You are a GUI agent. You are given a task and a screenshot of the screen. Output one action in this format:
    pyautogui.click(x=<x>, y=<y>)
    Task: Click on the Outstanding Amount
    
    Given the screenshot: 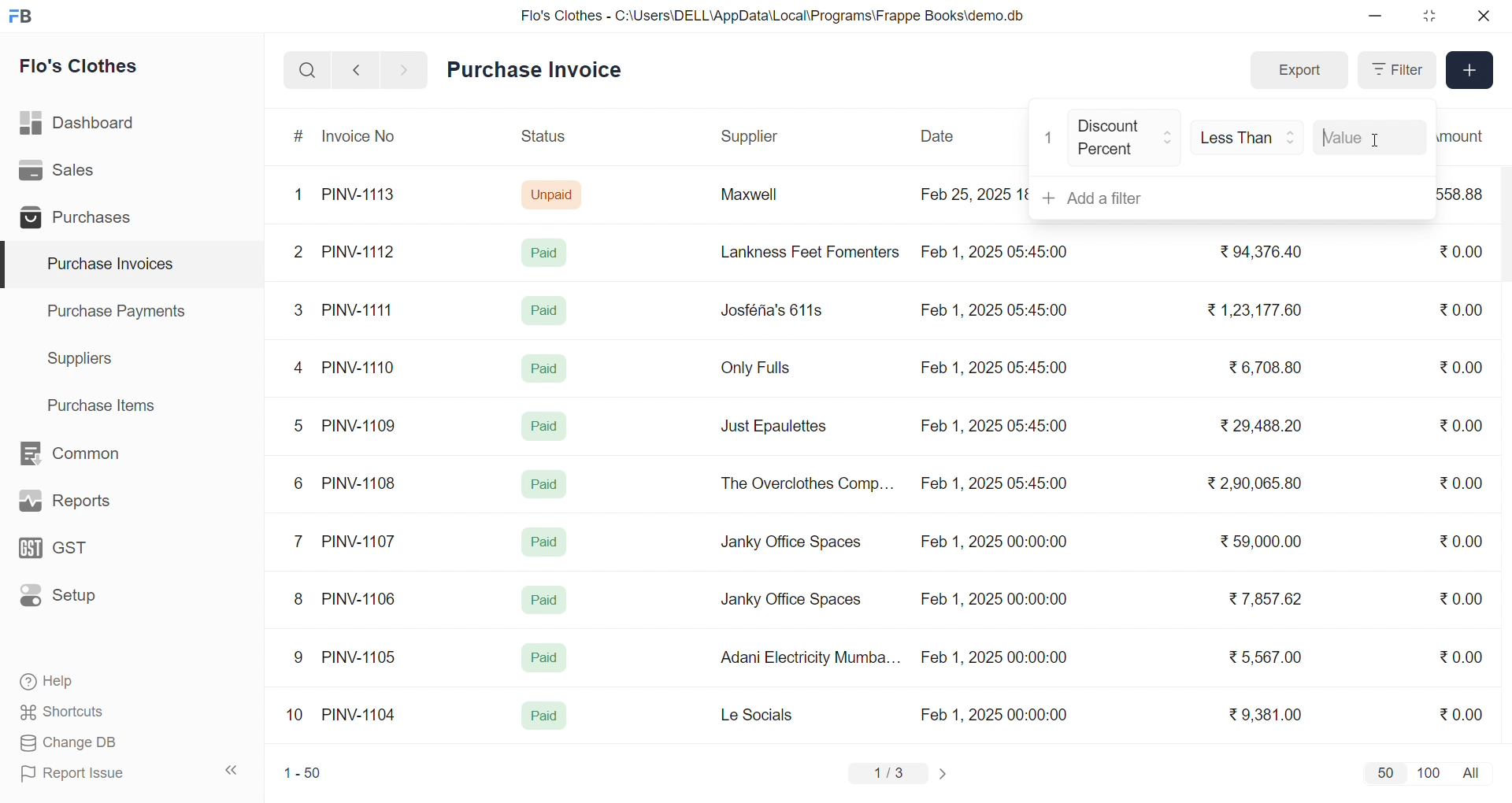 What is the action you would take?
    pyautogui.click(x=1469, y=135)
    